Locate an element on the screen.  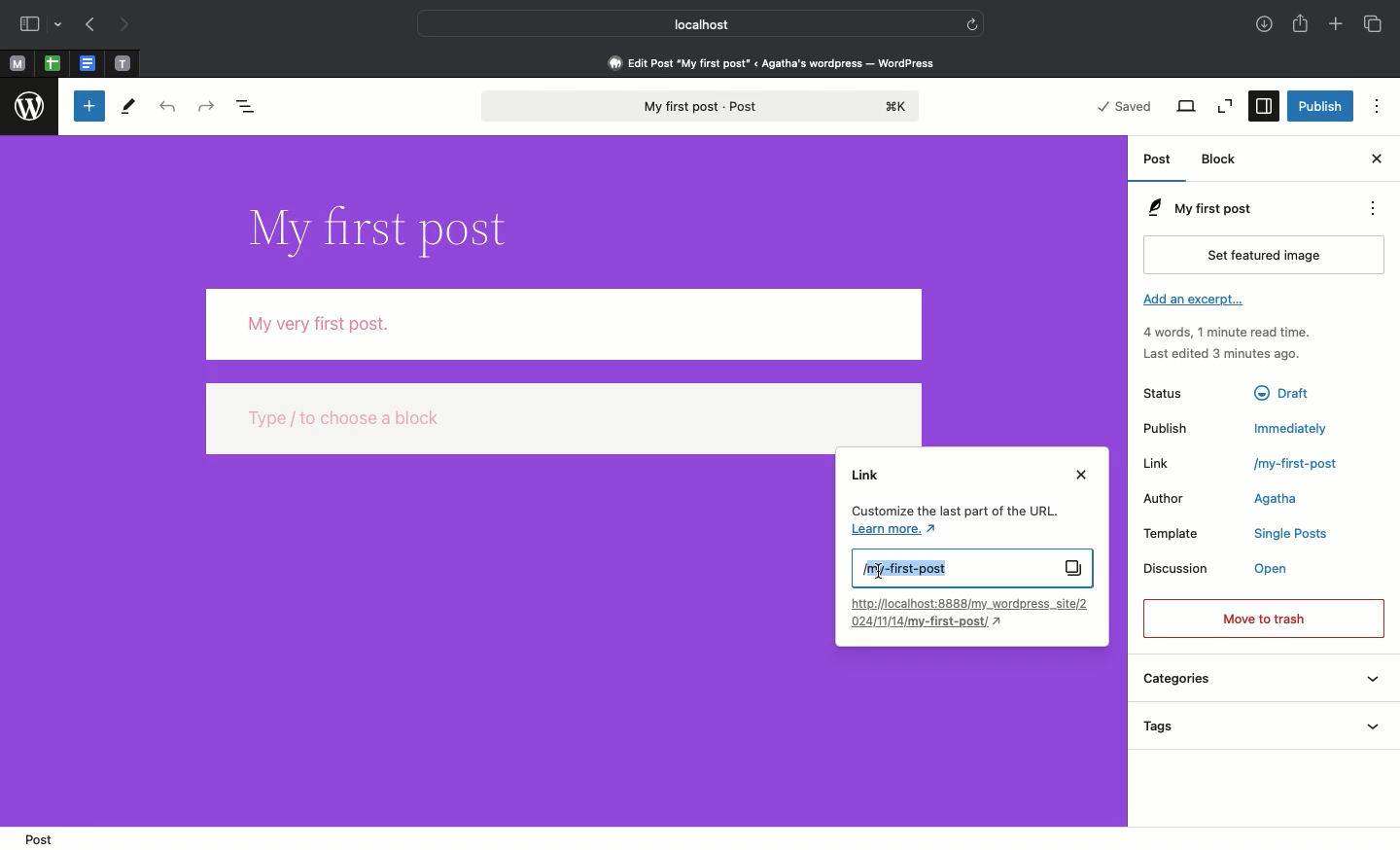
Undo is located at coordinates (167, 105).